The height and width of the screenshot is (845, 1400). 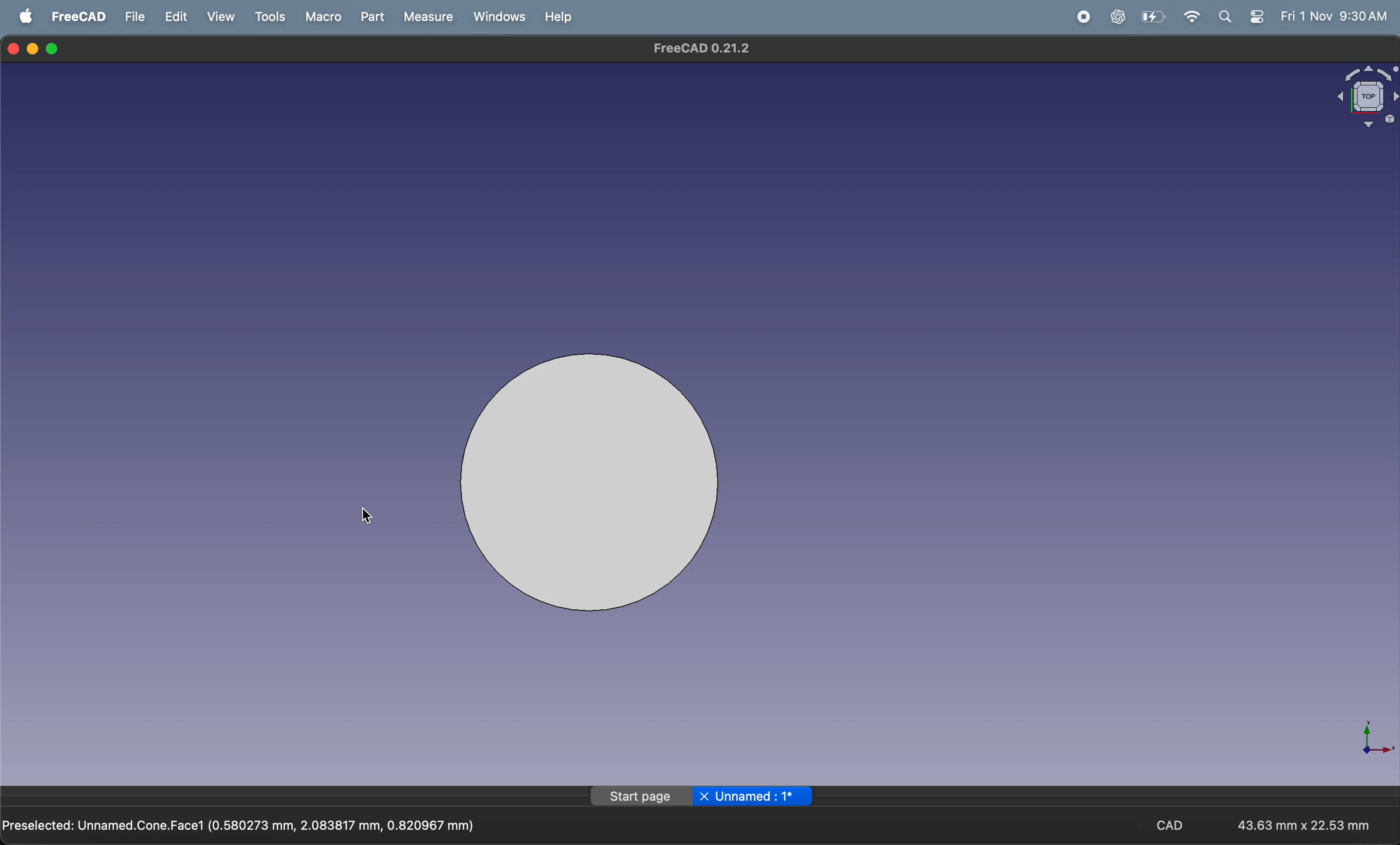 What do you see at coordinates (1116, 16) in the screenshot?
I see `chatgpt` at bounding box center [1116, 16].